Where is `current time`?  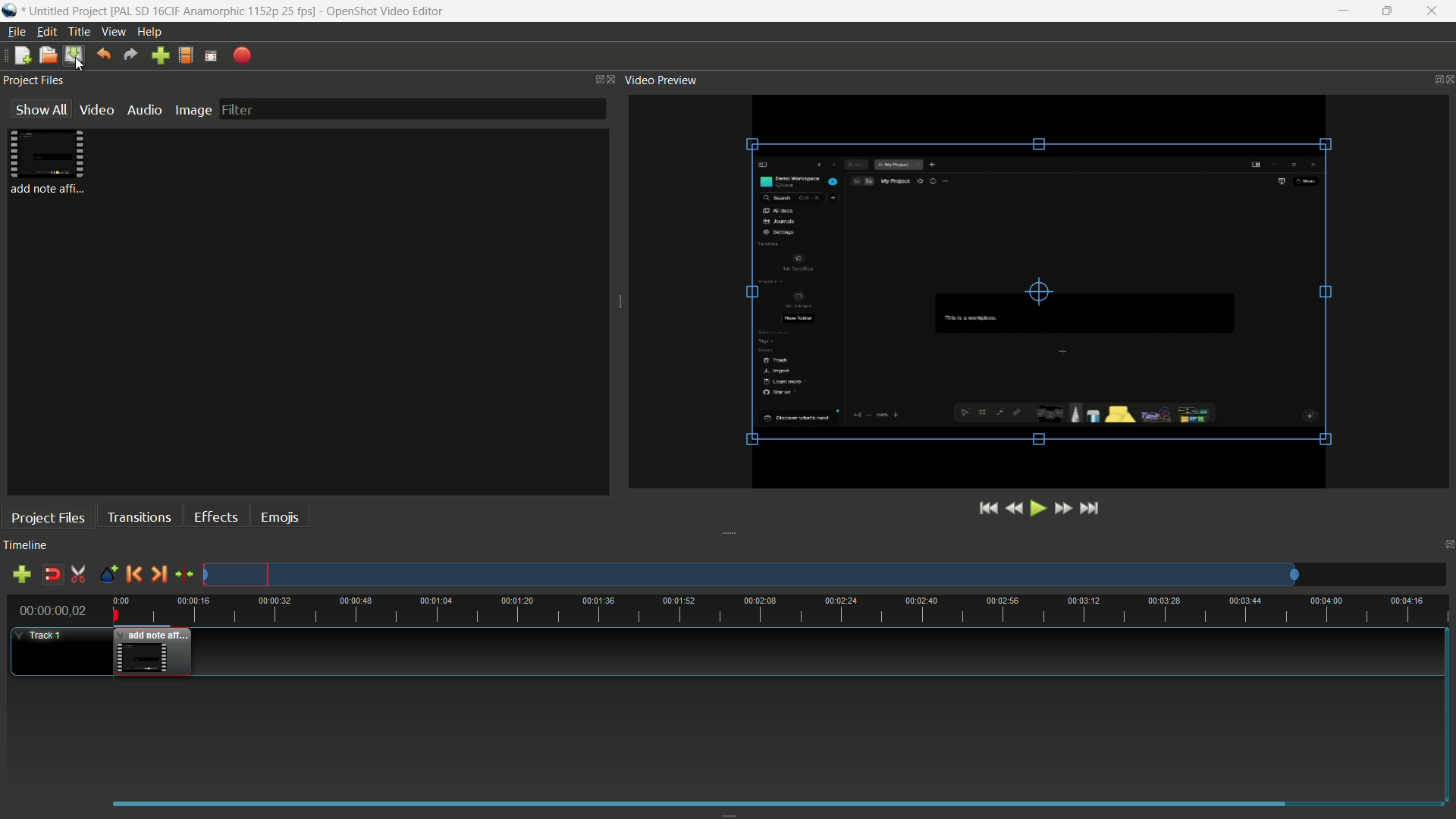
current time is located at coordinates (53, 610).